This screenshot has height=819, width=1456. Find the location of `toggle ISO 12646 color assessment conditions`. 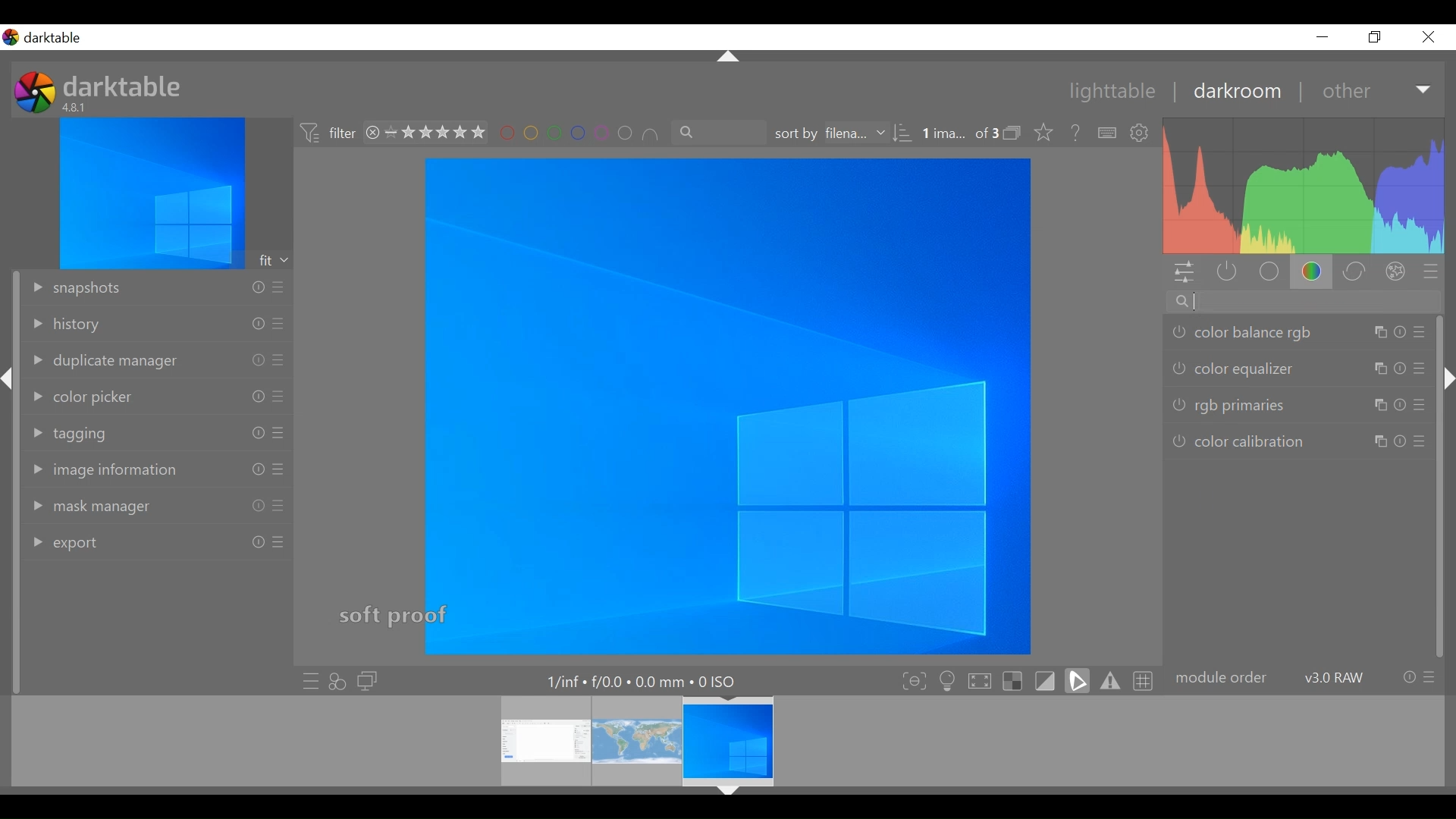

toggle ISO 12646 color assessment conditions is located at coordinates (946, 679).